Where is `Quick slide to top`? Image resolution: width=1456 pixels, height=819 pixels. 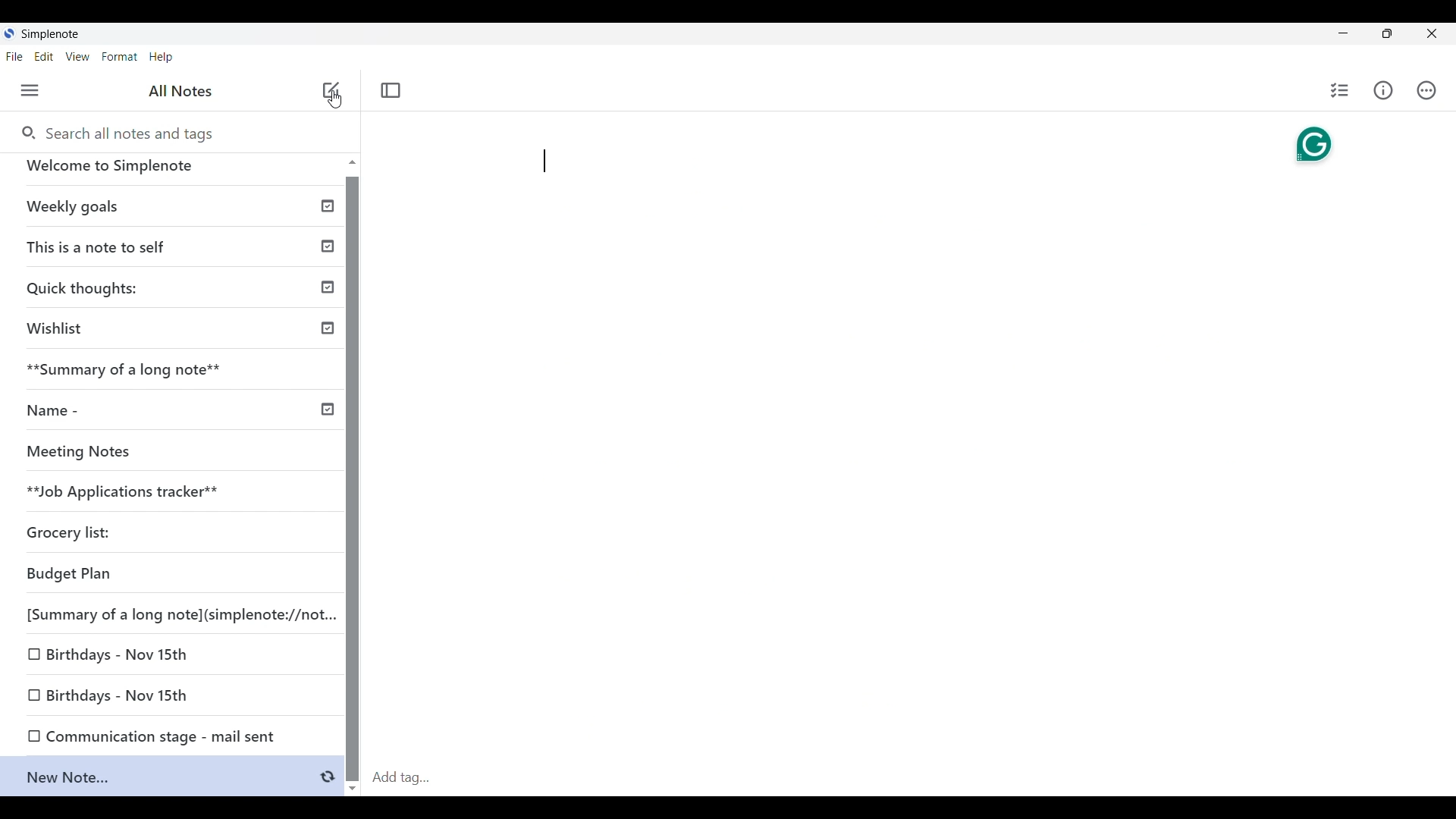 Quick slide to top is located at coordinates (353, 162).